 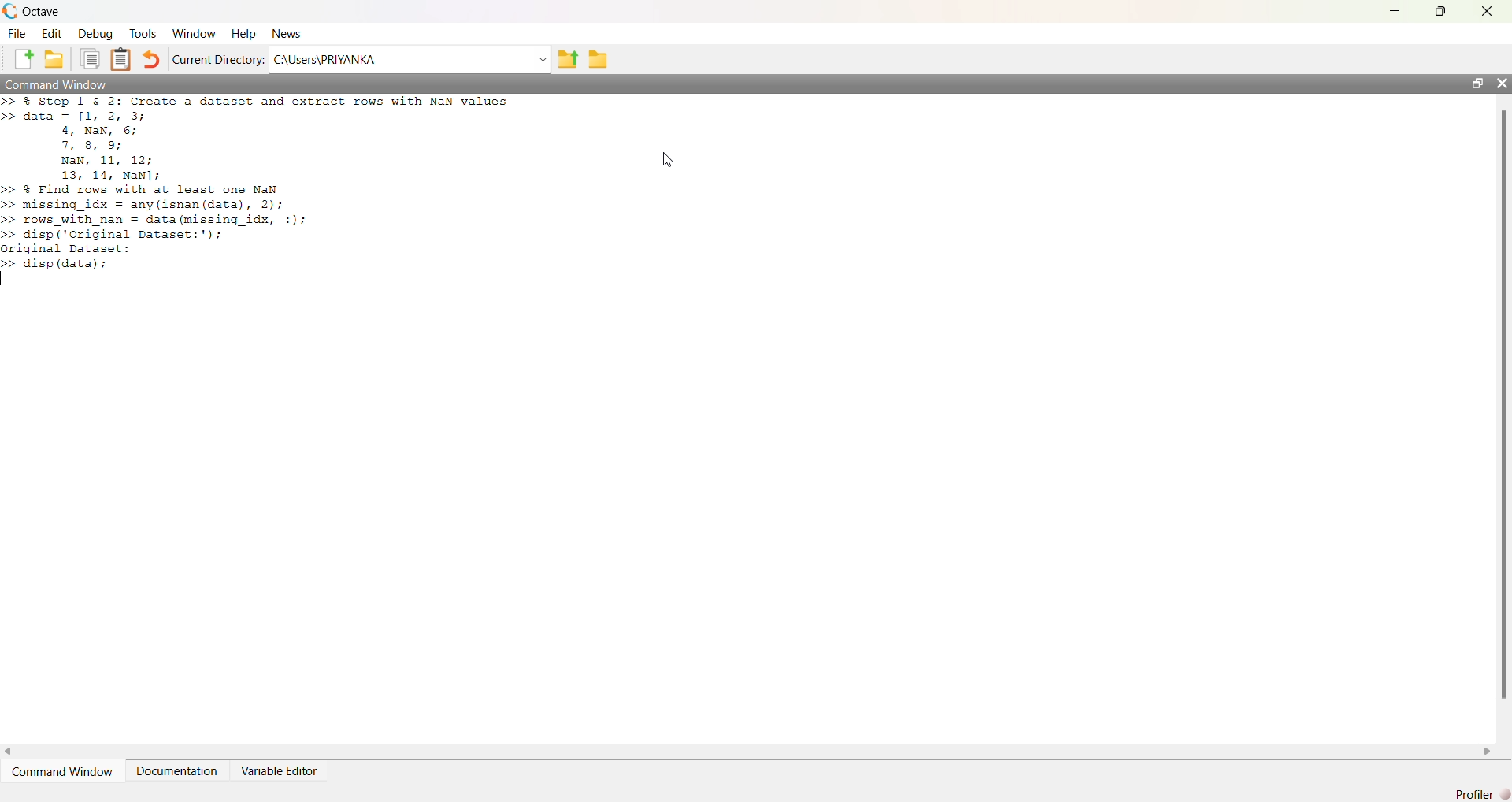 What do you see at coordinates (90, 59) in the screenshot?
I see `Duplicate` at bounding box center [90, 59].